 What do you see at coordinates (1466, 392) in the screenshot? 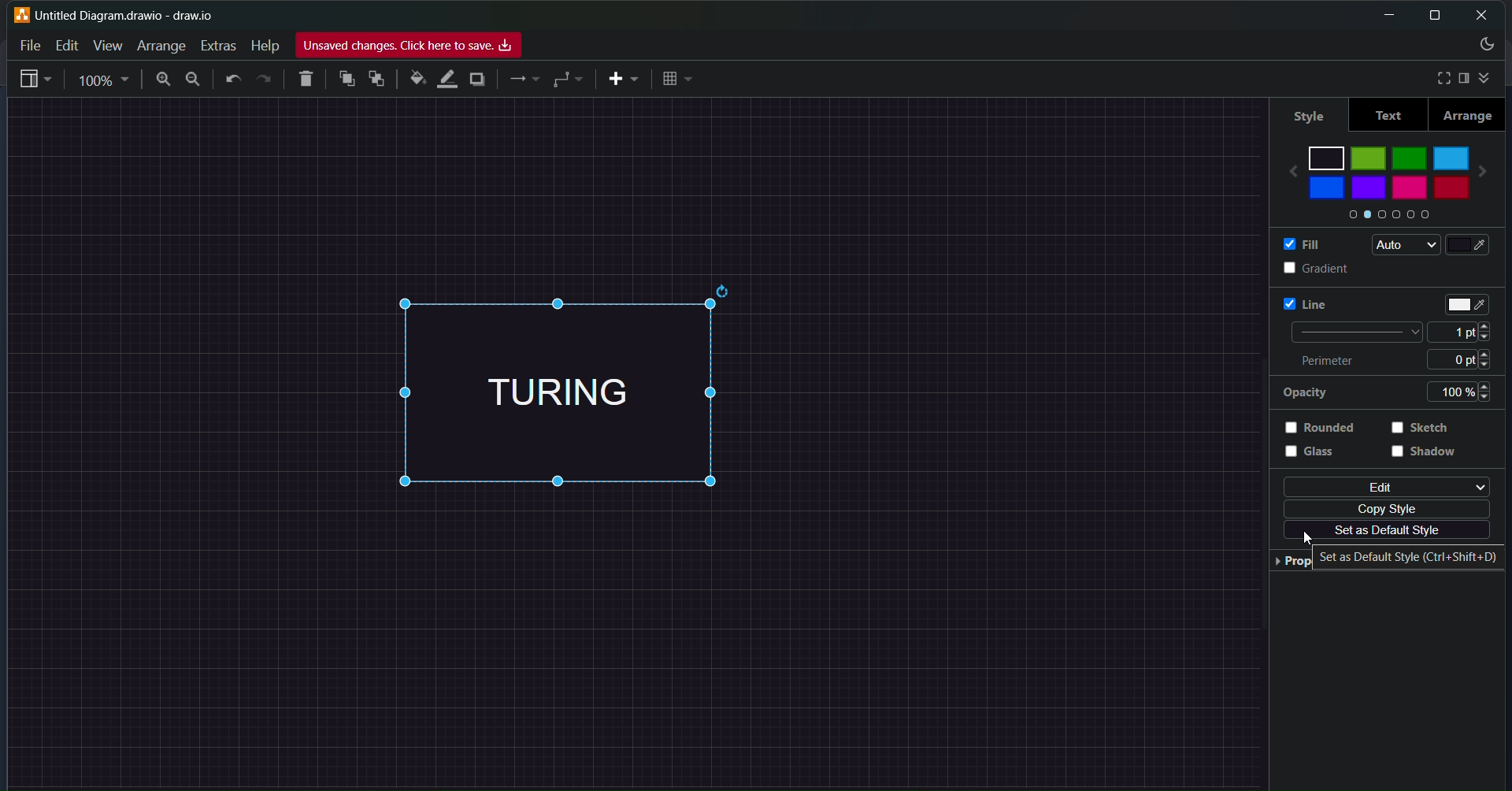
I see `100%` at bounding box center [1466, 392].